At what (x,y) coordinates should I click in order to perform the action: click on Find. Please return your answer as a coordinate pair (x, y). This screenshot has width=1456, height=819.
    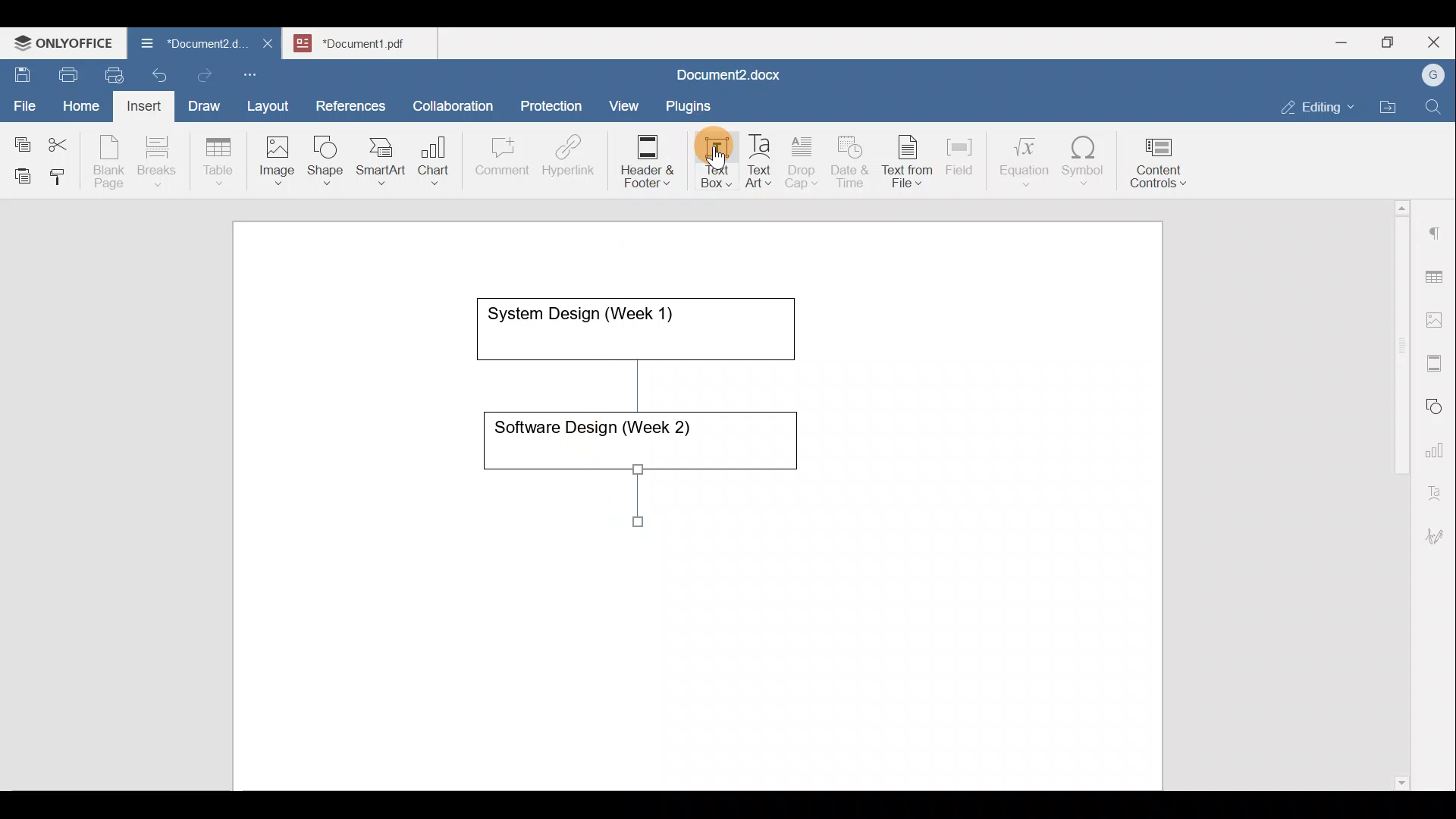
    Looking at the image, I should click on (1435, 108).